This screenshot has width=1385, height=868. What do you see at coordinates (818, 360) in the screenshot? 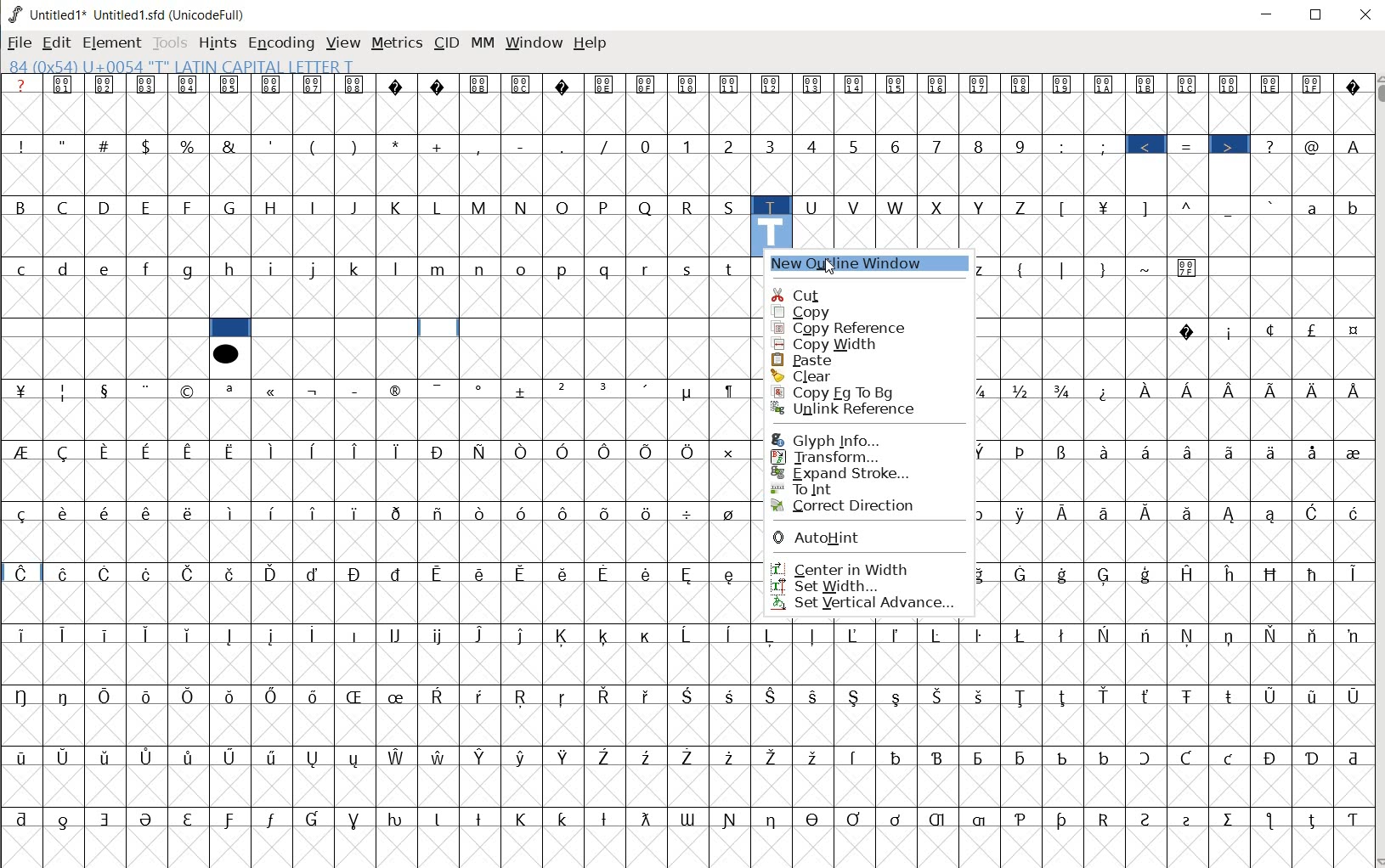
I see `paste` at bounding box center [818, 360].